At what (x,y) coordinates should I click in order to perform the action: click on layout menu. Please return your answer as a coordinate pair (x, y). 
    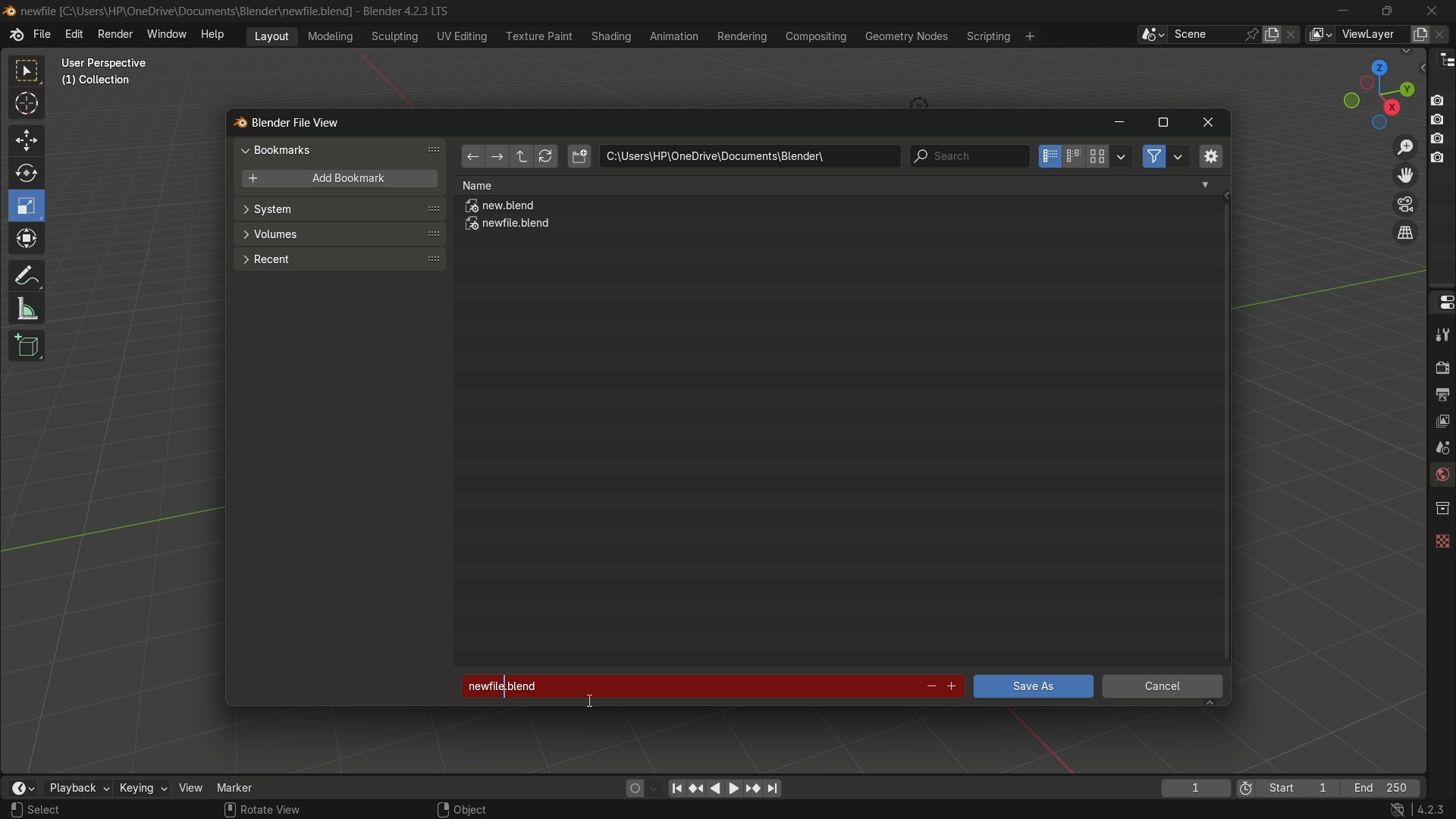
    Looking at the image, I should click on (271, 35).